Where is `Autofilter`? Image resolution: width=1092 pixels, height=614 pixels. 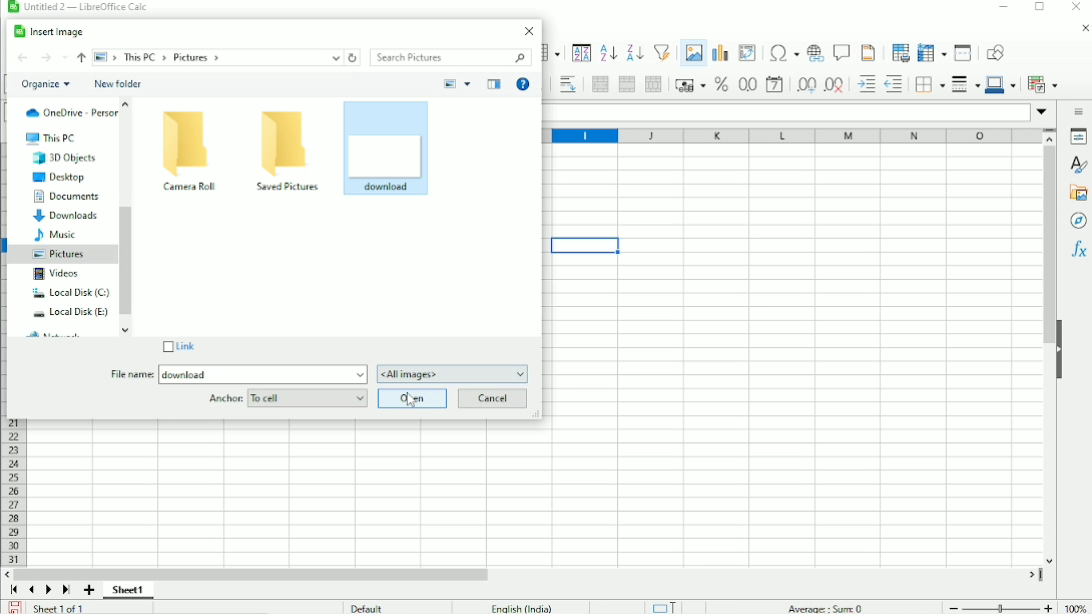 Autofilter is located at coordinates (661, 51).